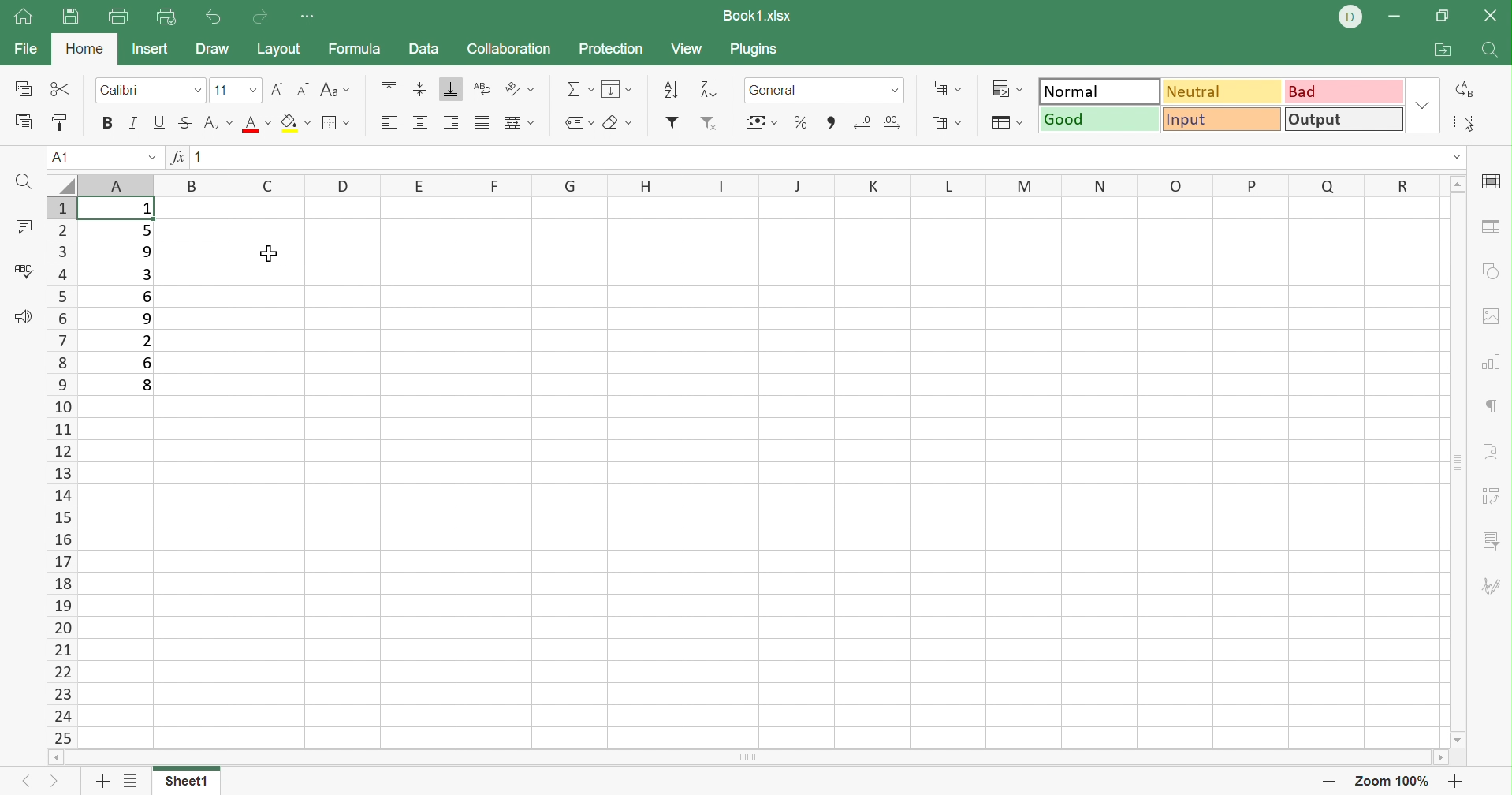 Image resolution: width=1512 pixels, height=795 pixels. I want to click on Merge and center, so click(520, 123).